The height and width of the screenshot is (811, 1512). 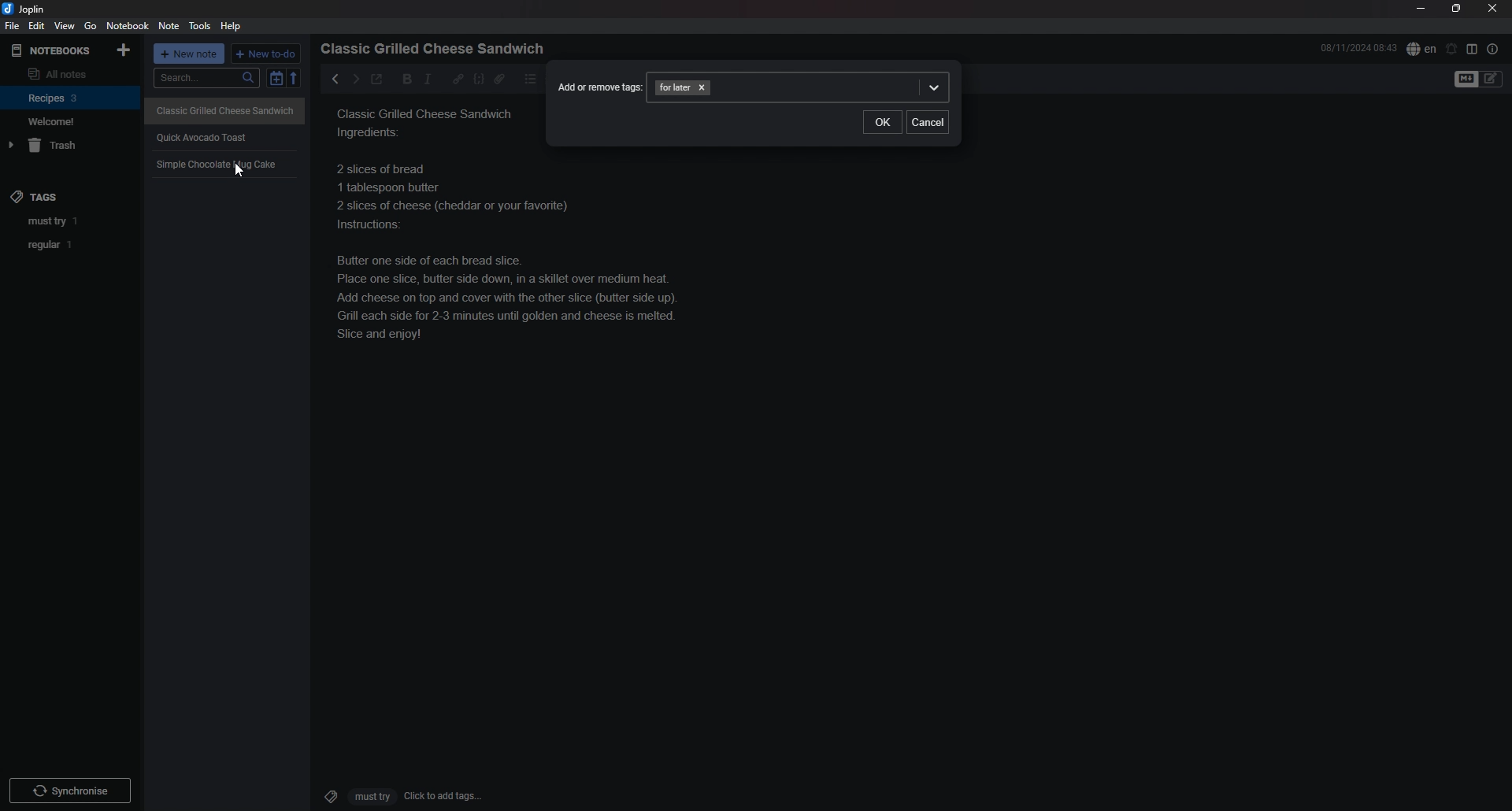 I want to click on note properties, so click(x=1493, y=49).